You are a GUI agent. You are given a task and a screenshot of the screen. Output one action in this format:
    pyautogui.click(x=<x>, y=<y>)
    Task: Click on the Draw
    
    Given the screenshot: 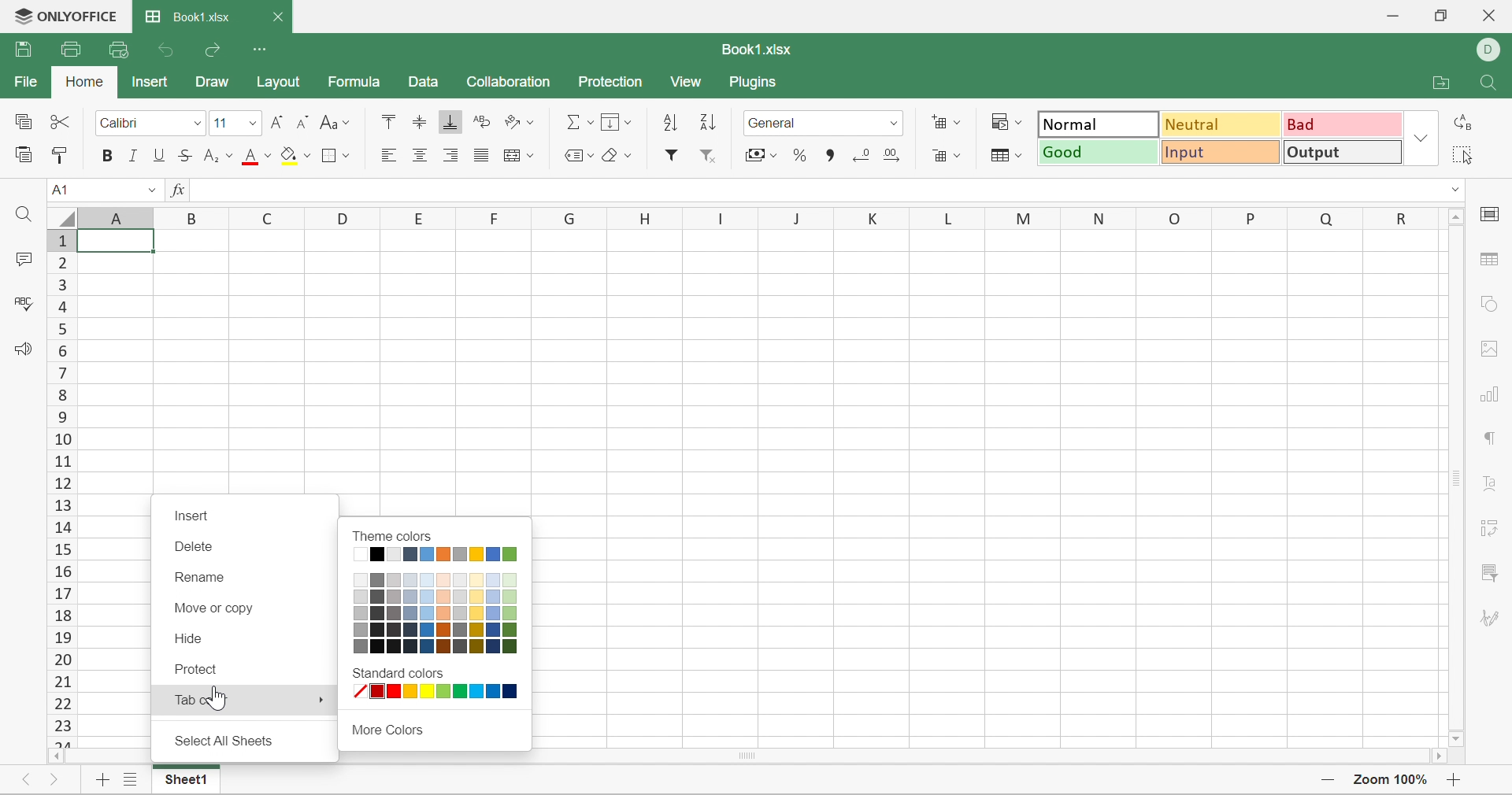 What is the action you would take?
    pyautogui.click(x=213, y=81)
    